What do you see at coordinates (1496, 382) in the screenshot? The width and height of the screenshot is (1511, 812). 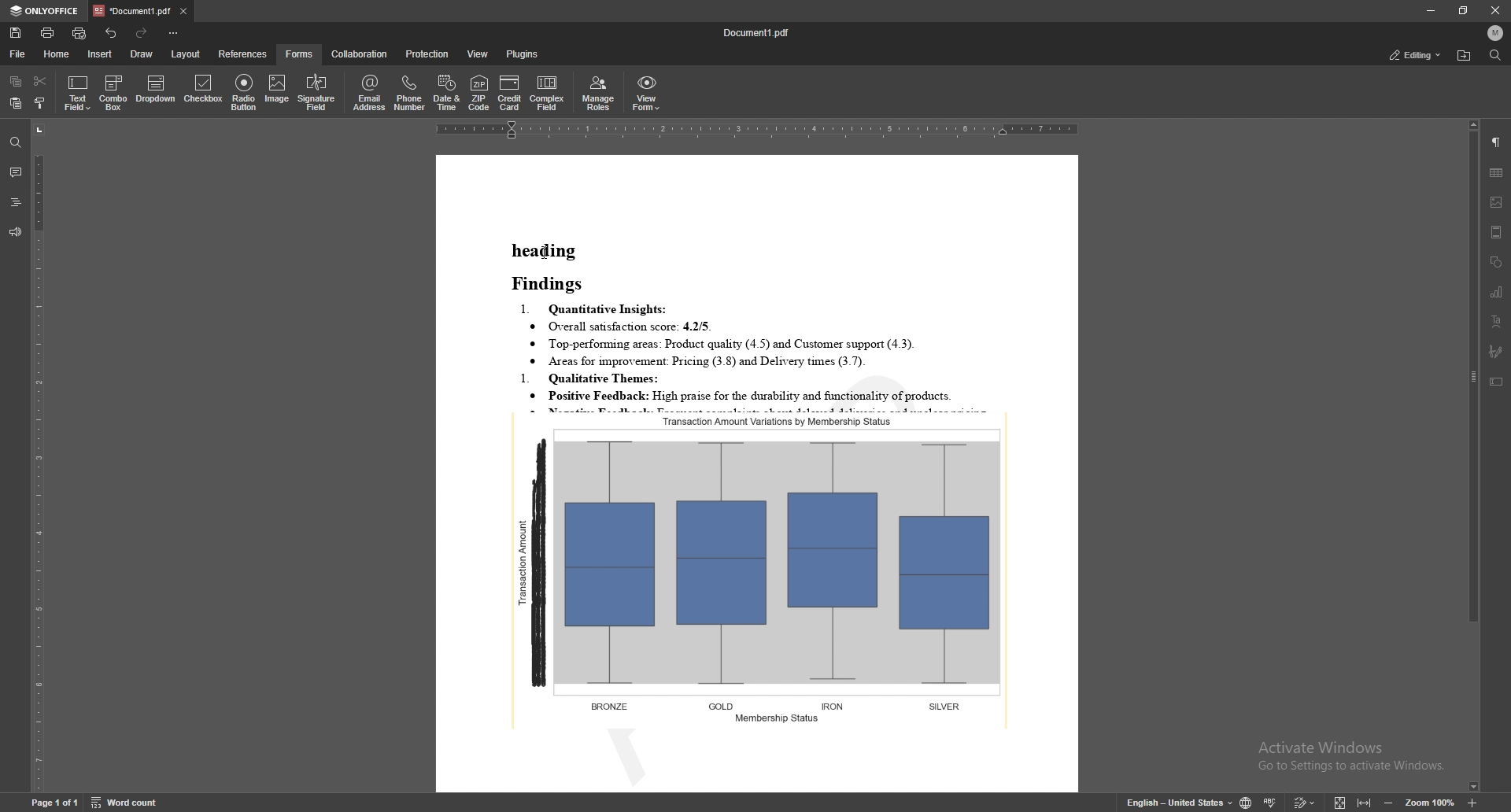 I see `text box` at bounding box center [1496, 382].